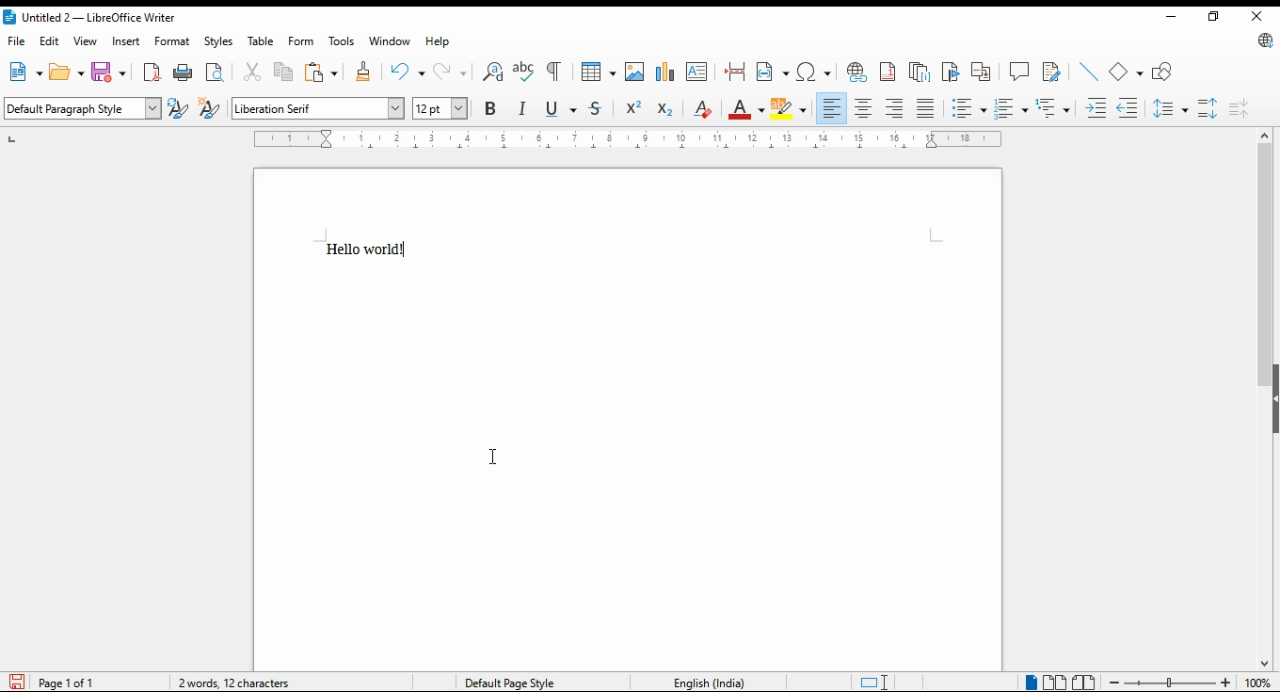 The height and width of the screenshot is (692, 1280). Describe the element at coordinates (1012, 110) in the screenshot. I see `toggle ordered list` at that location.